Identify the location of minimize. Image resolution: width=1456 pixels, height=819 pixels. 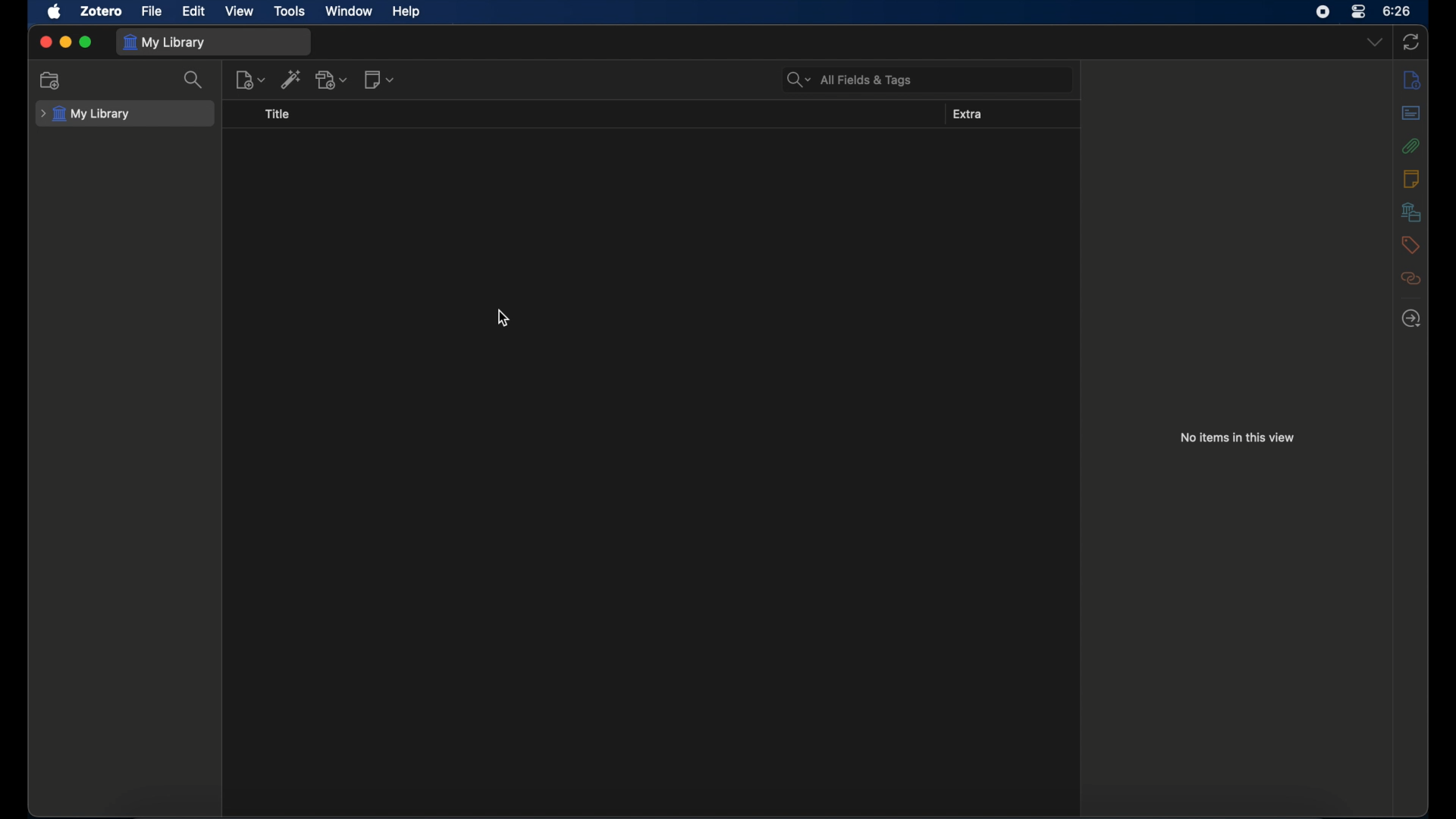
(65, 41).